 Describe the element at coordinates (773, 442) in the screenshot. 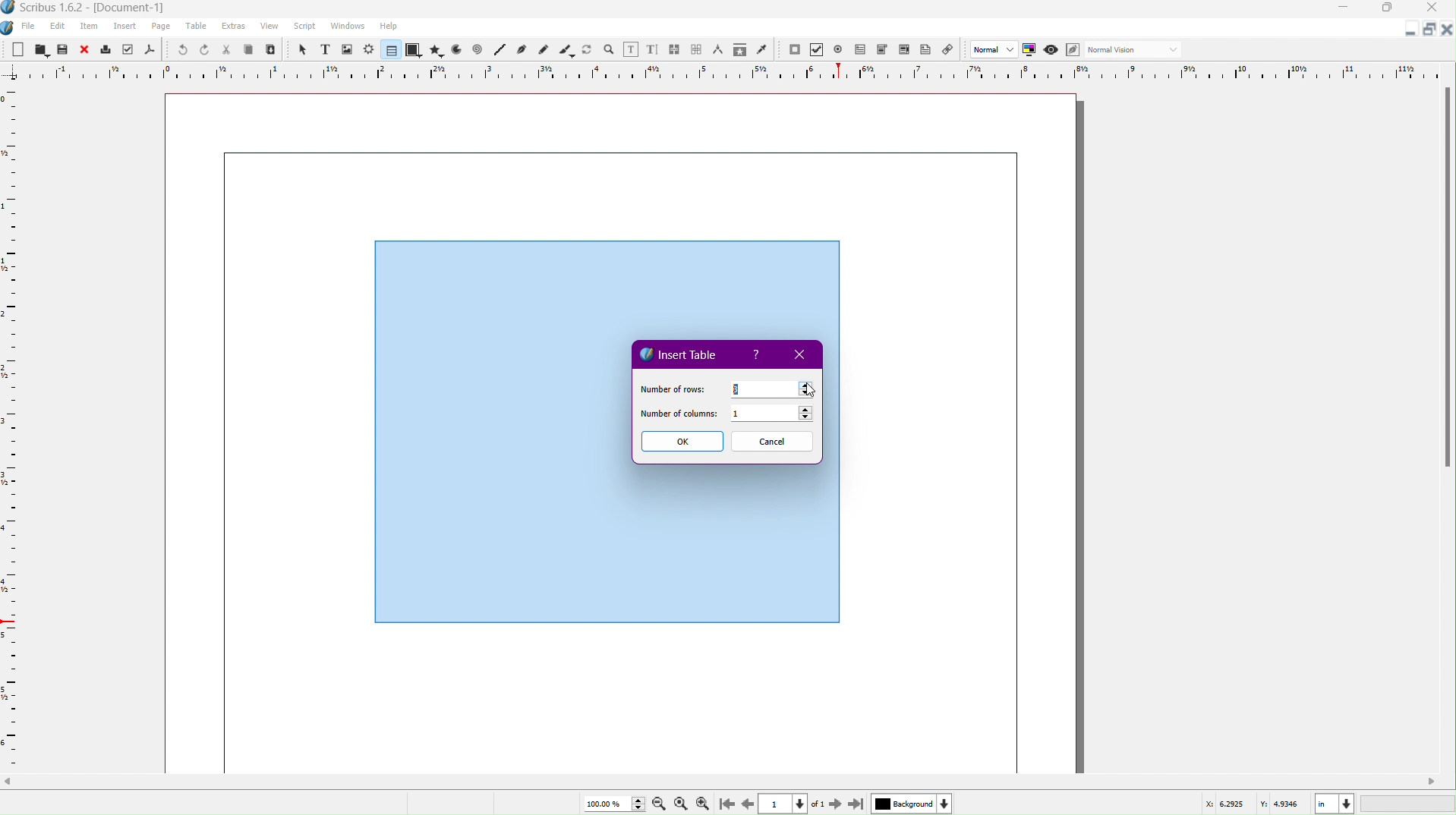

I see `Cancel` at that location.